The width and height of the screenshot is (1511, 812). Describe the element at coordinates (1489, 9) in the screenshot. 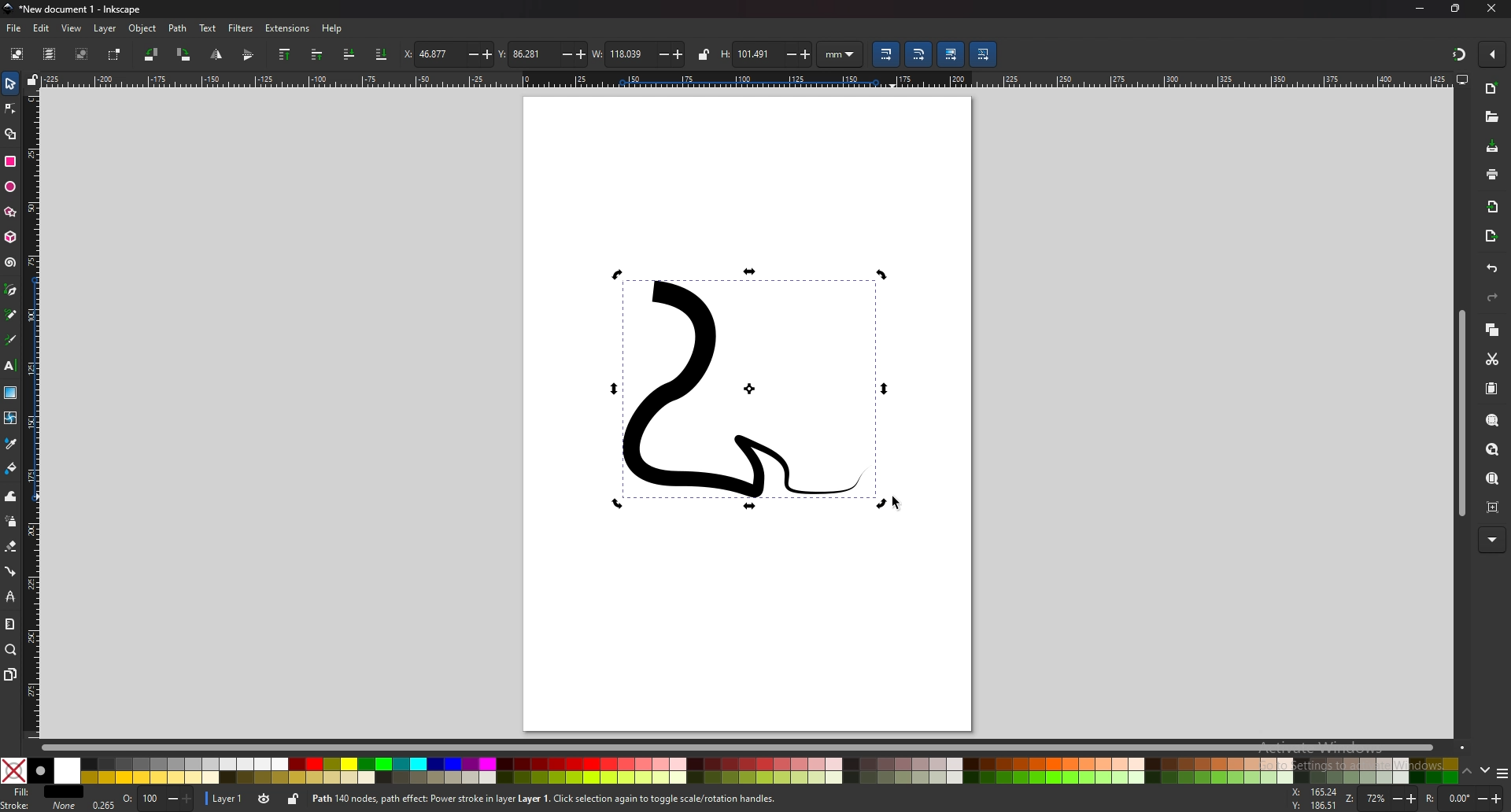

I see `CLOSE` at that location.